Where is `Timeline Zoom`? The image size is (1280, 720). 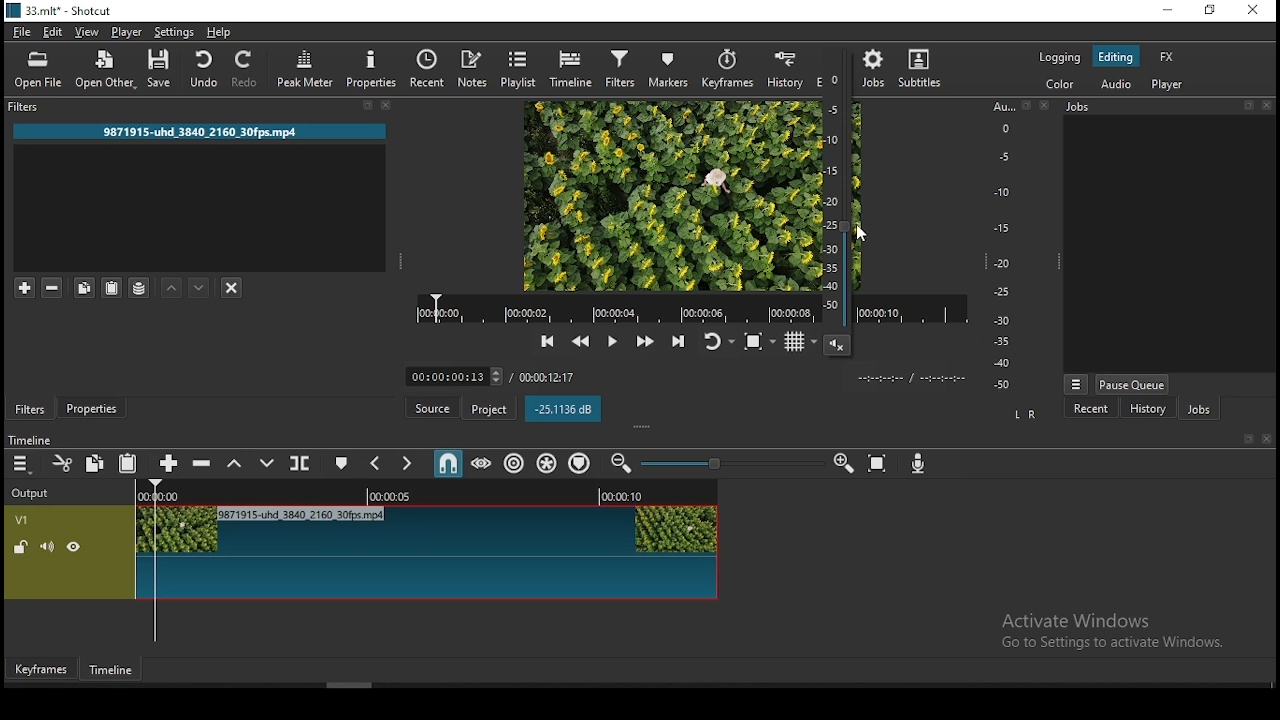 Timeline Zoom is located at coordinates (732, 464).